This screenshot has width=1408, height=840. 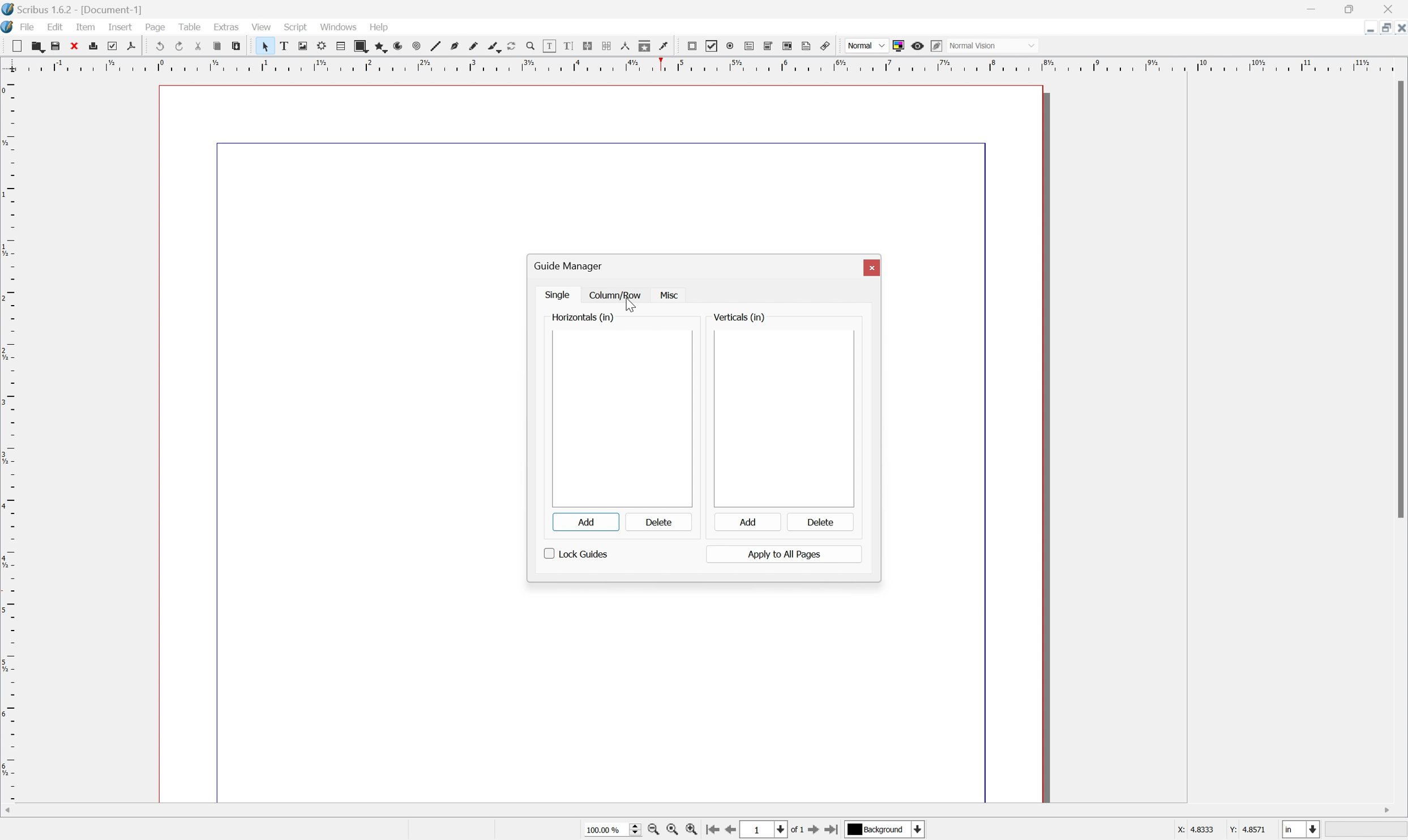 What do you see at coordinates (284, 46) in the screenshot?
I see `text box` at bounding box center [284, 46].